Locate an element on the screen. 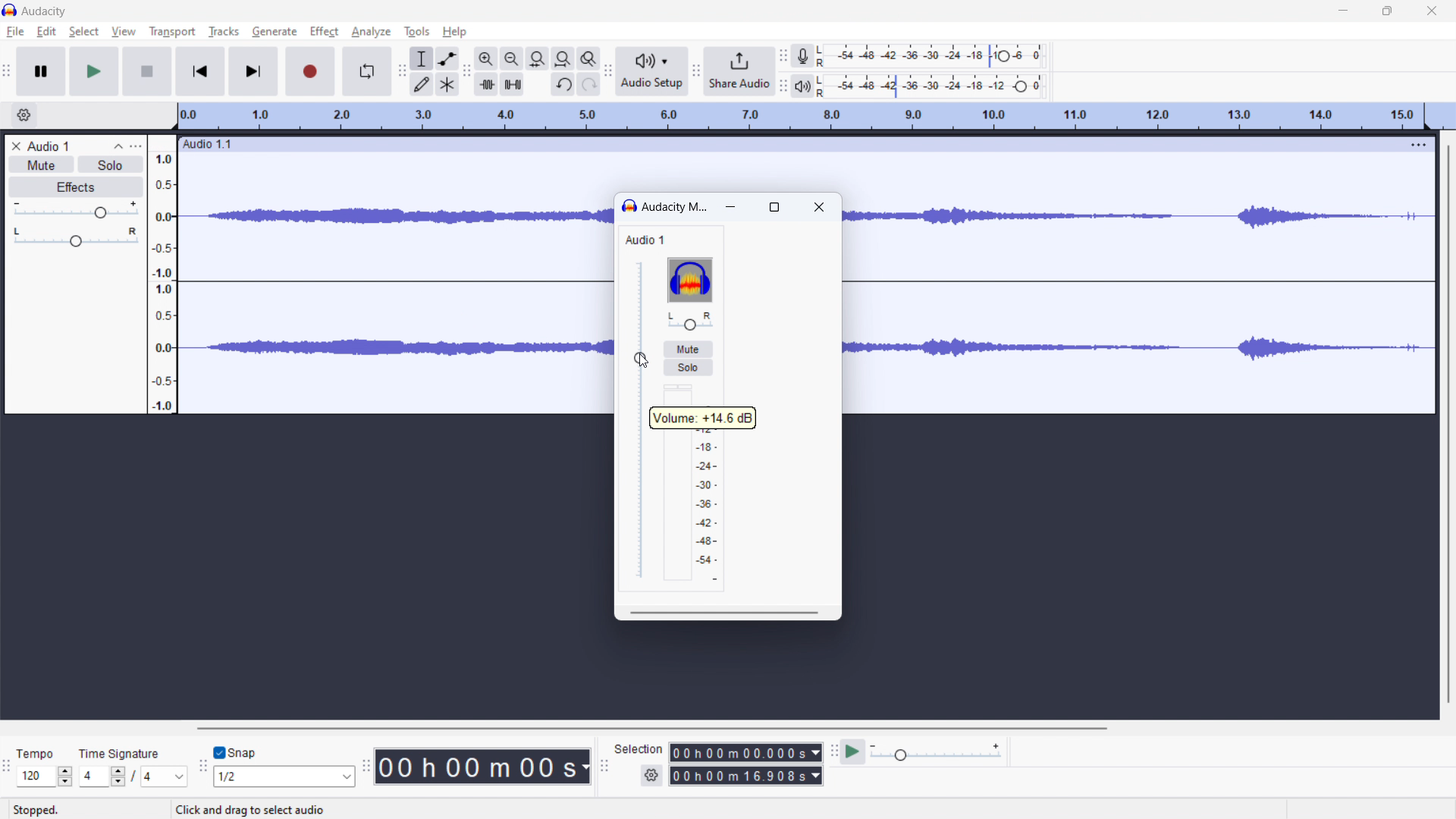  multi tool is located at coordinates (447, 84).